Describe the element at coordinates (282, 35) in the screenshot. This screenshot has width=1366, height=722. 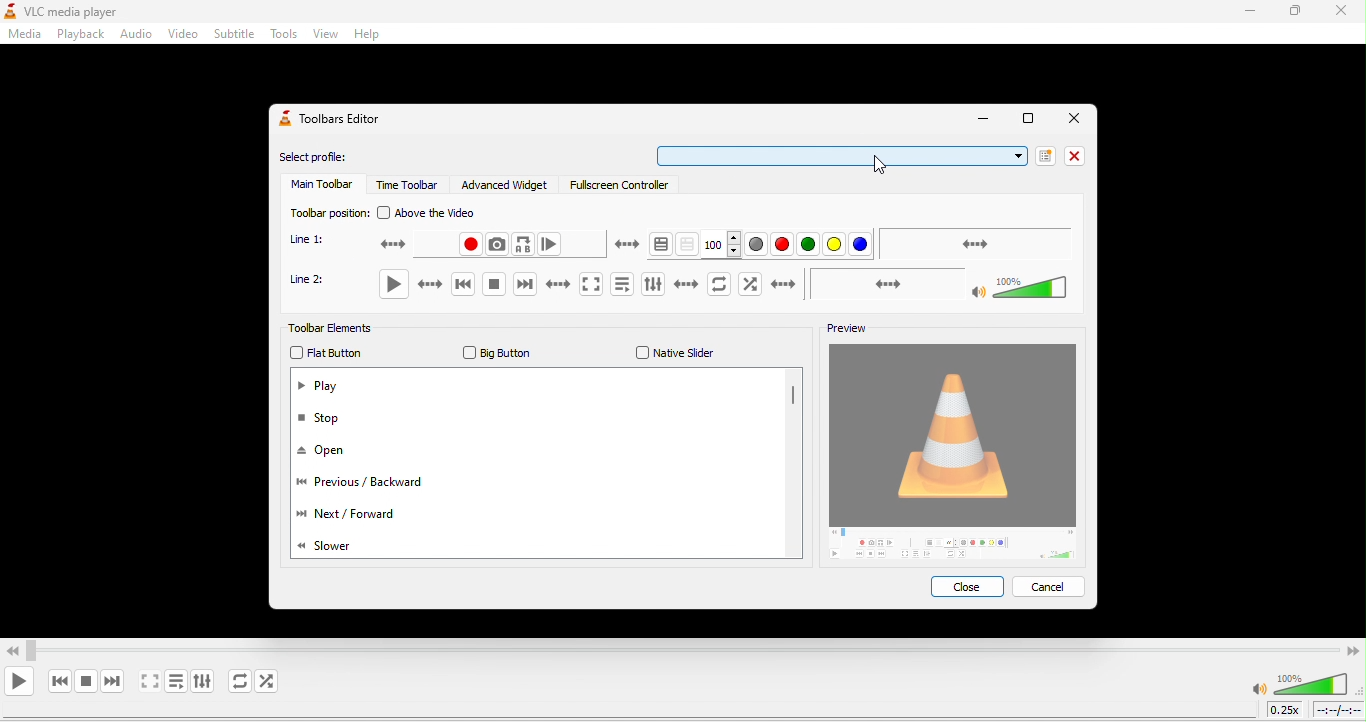
I see `tools` at that location.